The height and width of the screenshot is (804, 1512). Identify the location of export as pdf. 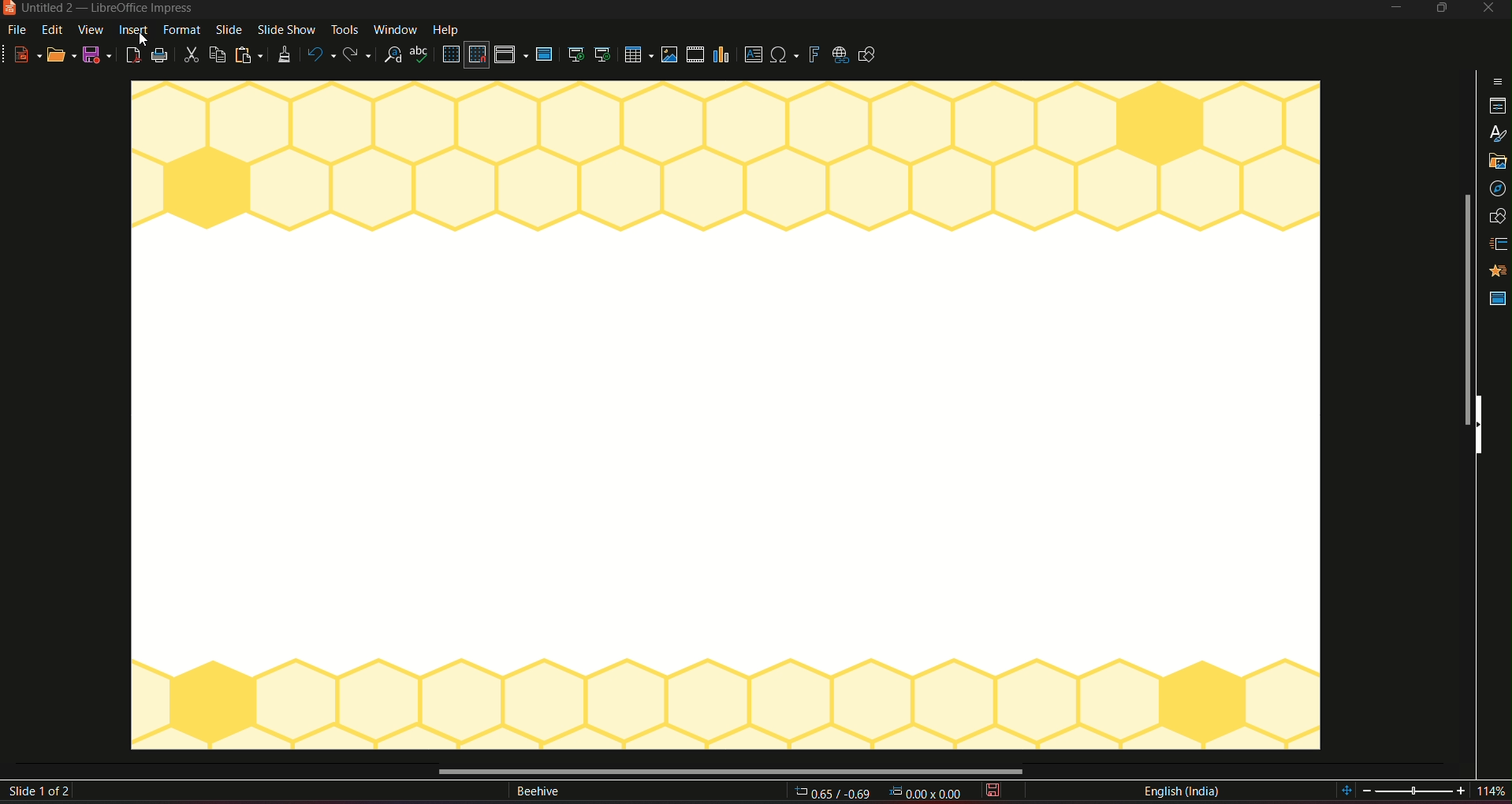
(132, 55).